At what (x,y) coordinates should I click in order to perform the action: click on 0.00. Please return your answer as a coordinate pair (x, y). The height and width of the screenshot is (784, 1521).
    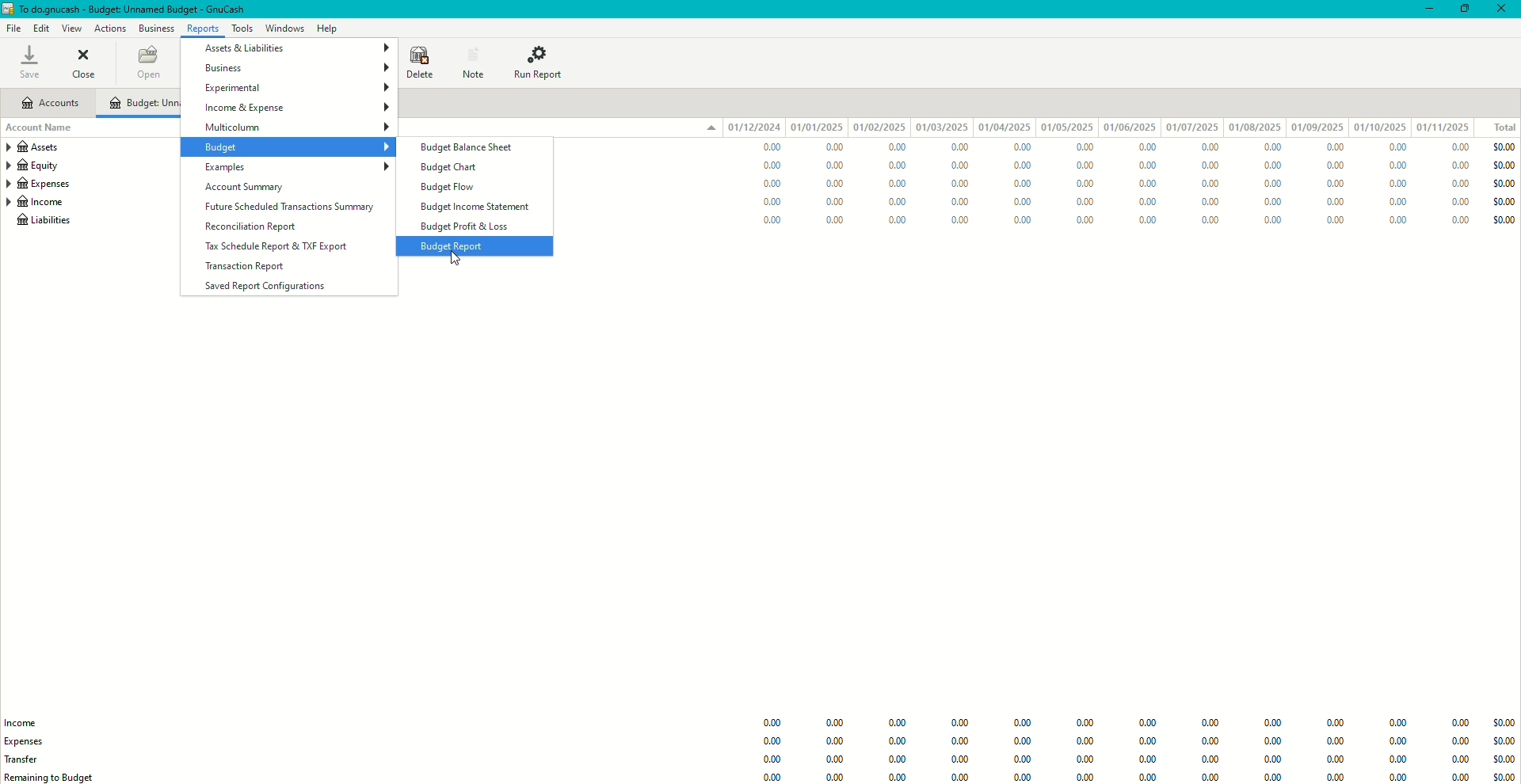
    Looking at the image, I should click on (839, 760).